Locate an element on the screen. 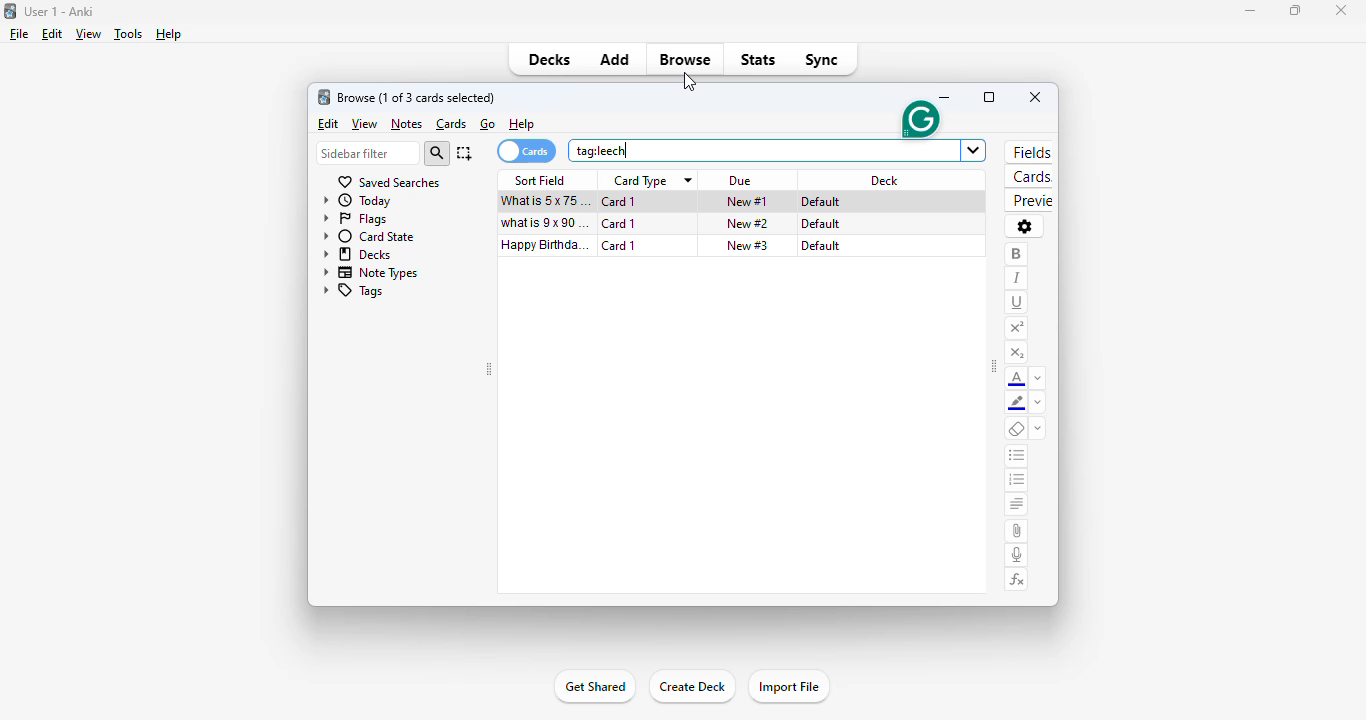 This screenshot has height=720, width=1366. saved searches is located at coordinates (388, 183).